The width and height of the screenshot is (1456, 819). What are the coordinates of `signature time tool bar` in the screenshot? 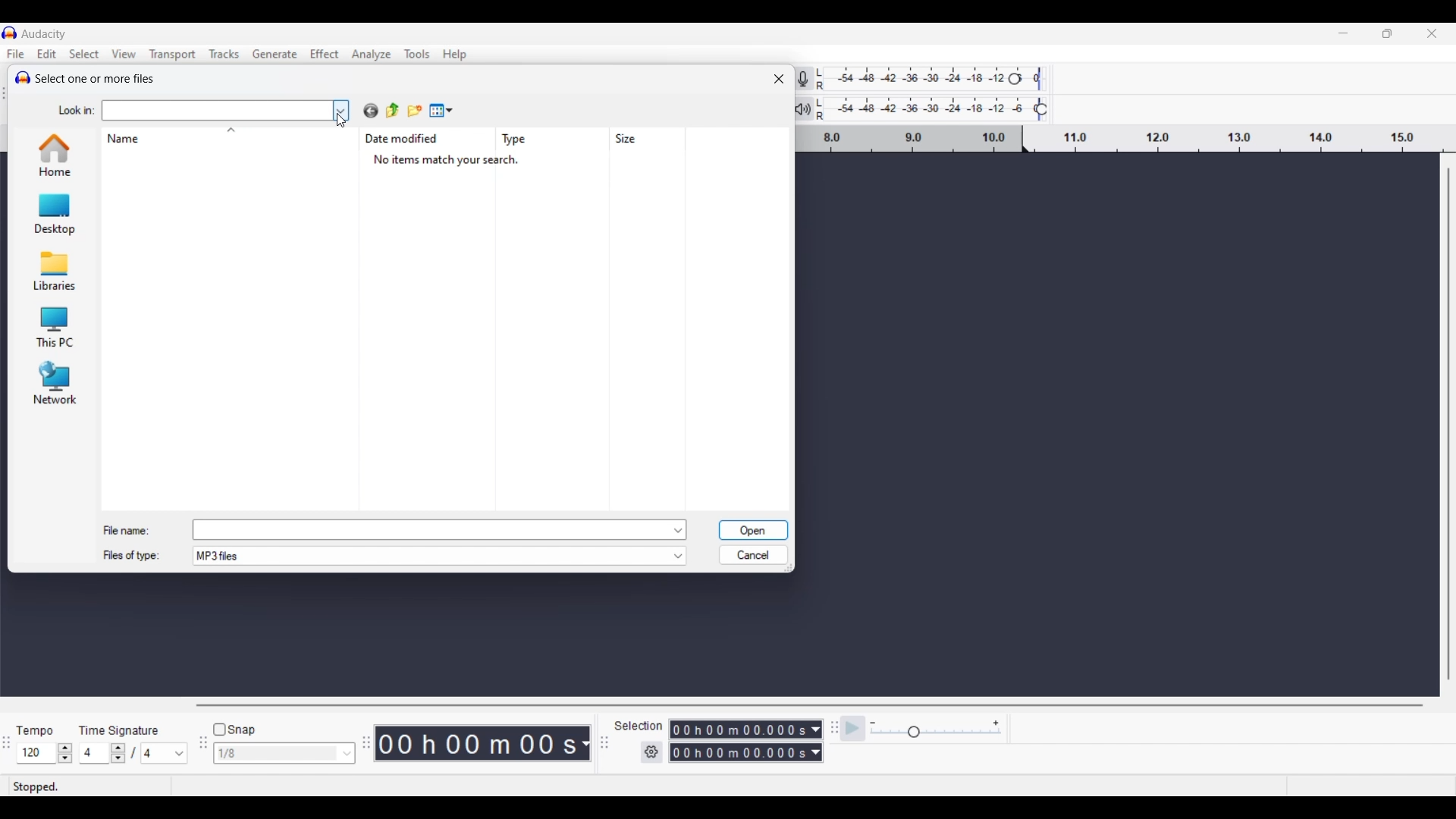 It's located at (6, 744).